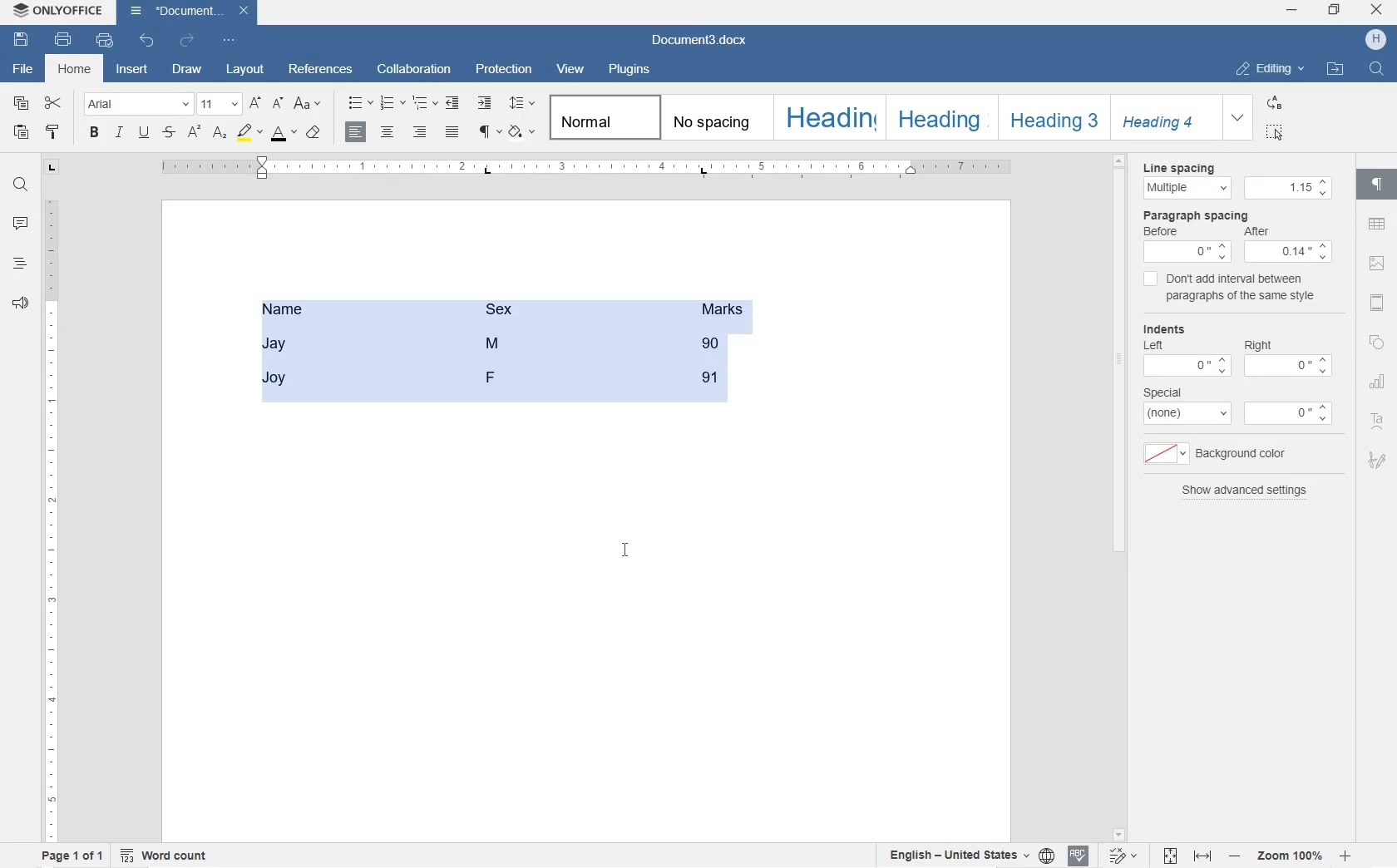 Image resolution: width=1397 pixels, height=868 pixels. What do you see at coordinates (1247, 495) in the screenshot?
I see `show advanced settings` at bounding box center [1247, 495].